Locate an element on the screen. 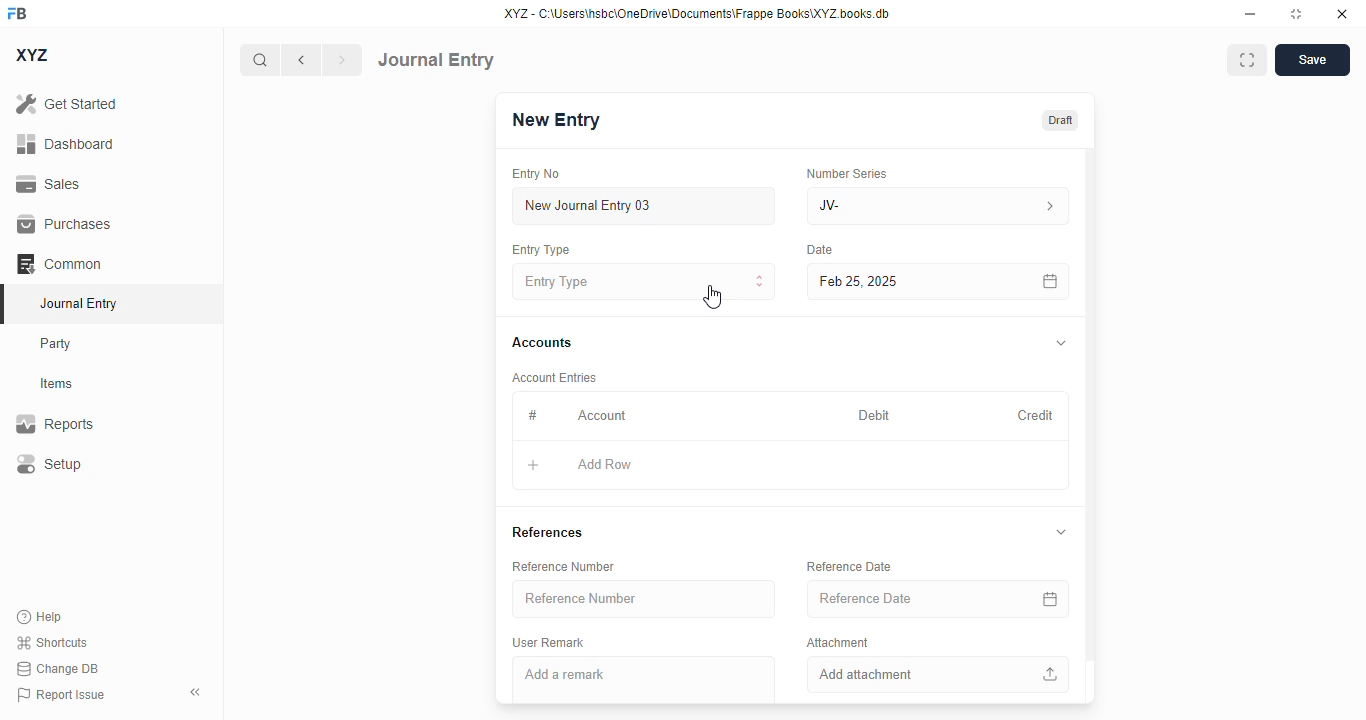 Image resolution: width=1366 pixels, height=720 pixels. XYZ - C:\Users\hsbc\OneDrive\Documents\Frappe Books\XYZ books.db is located at coordinates (697, 13).